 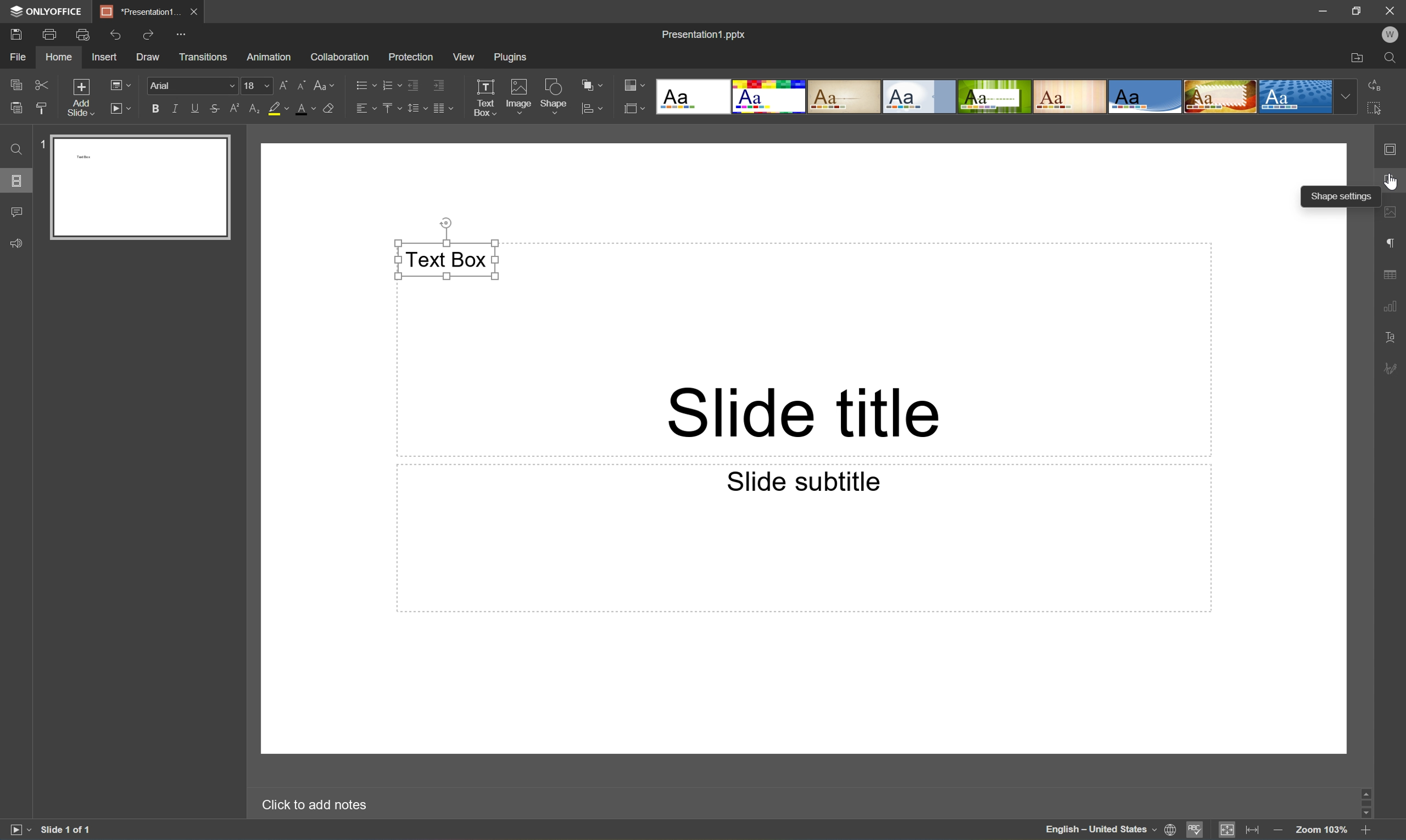 What do you see at coordinates (412, 111) in the screenshot?
I see `Line spacing` at bounding box center [412, 111].